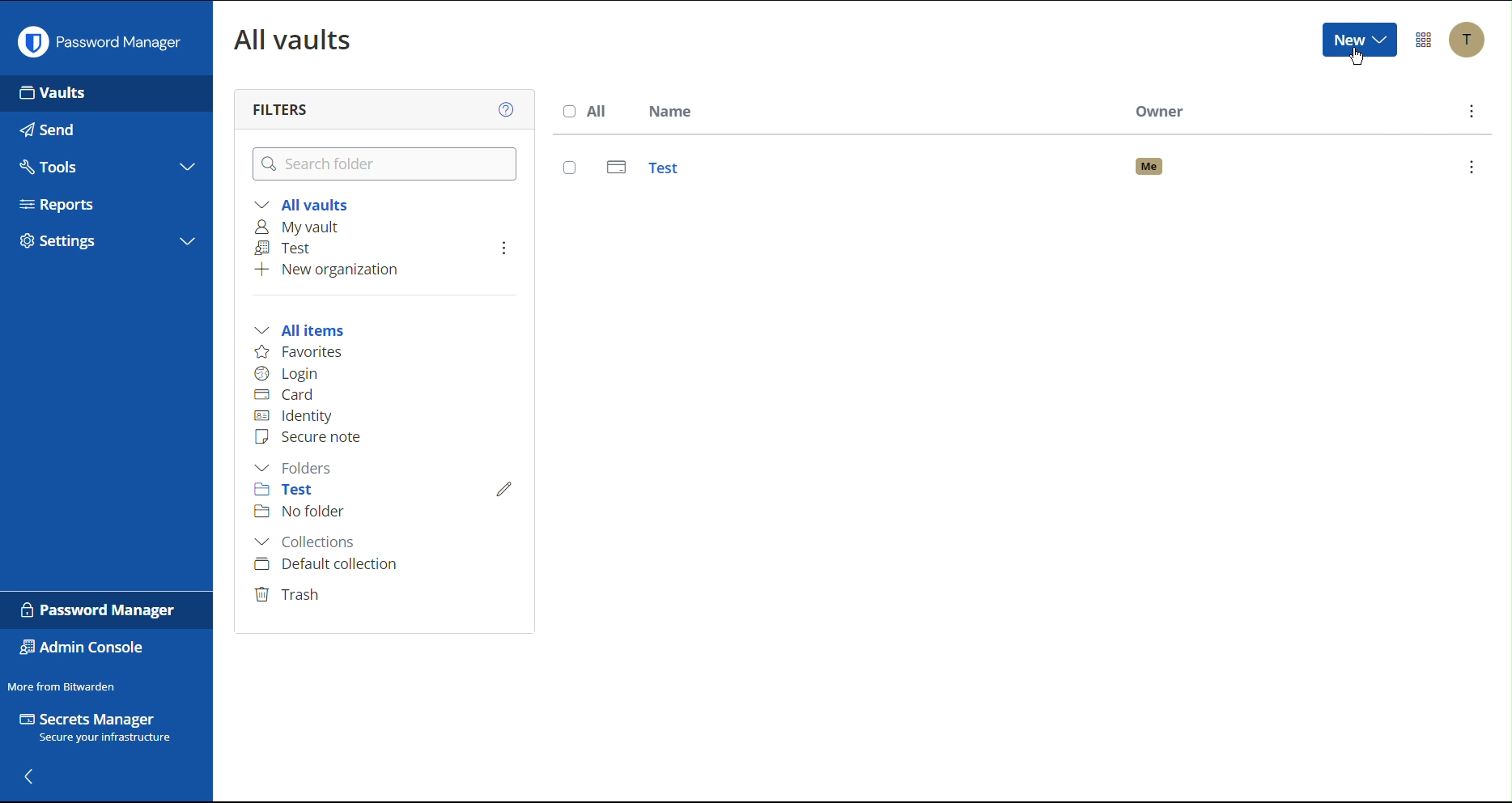 The height and width of the screenshot is (803, 1512). Describe the element at coordinates (304, 328) in the screenshot. I see `All items` at that location.